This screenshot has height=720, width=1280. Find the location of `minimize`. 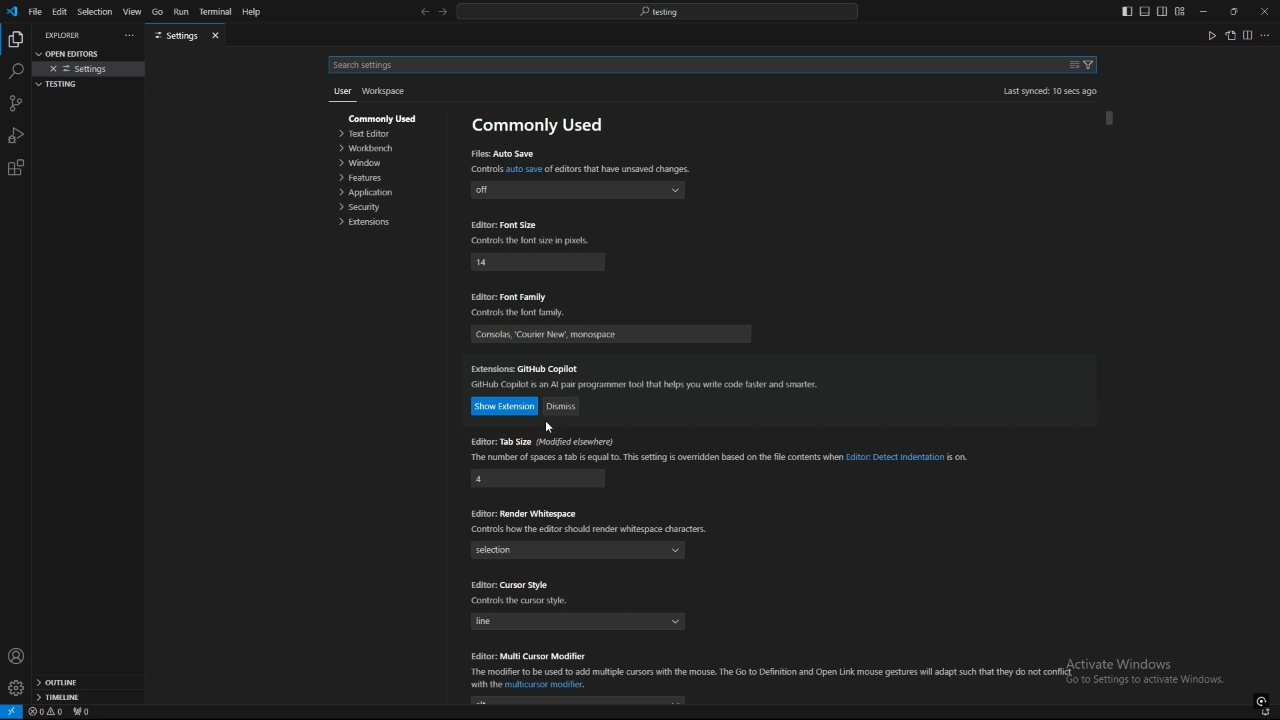

minimize is located at coordinates (1204, 12).